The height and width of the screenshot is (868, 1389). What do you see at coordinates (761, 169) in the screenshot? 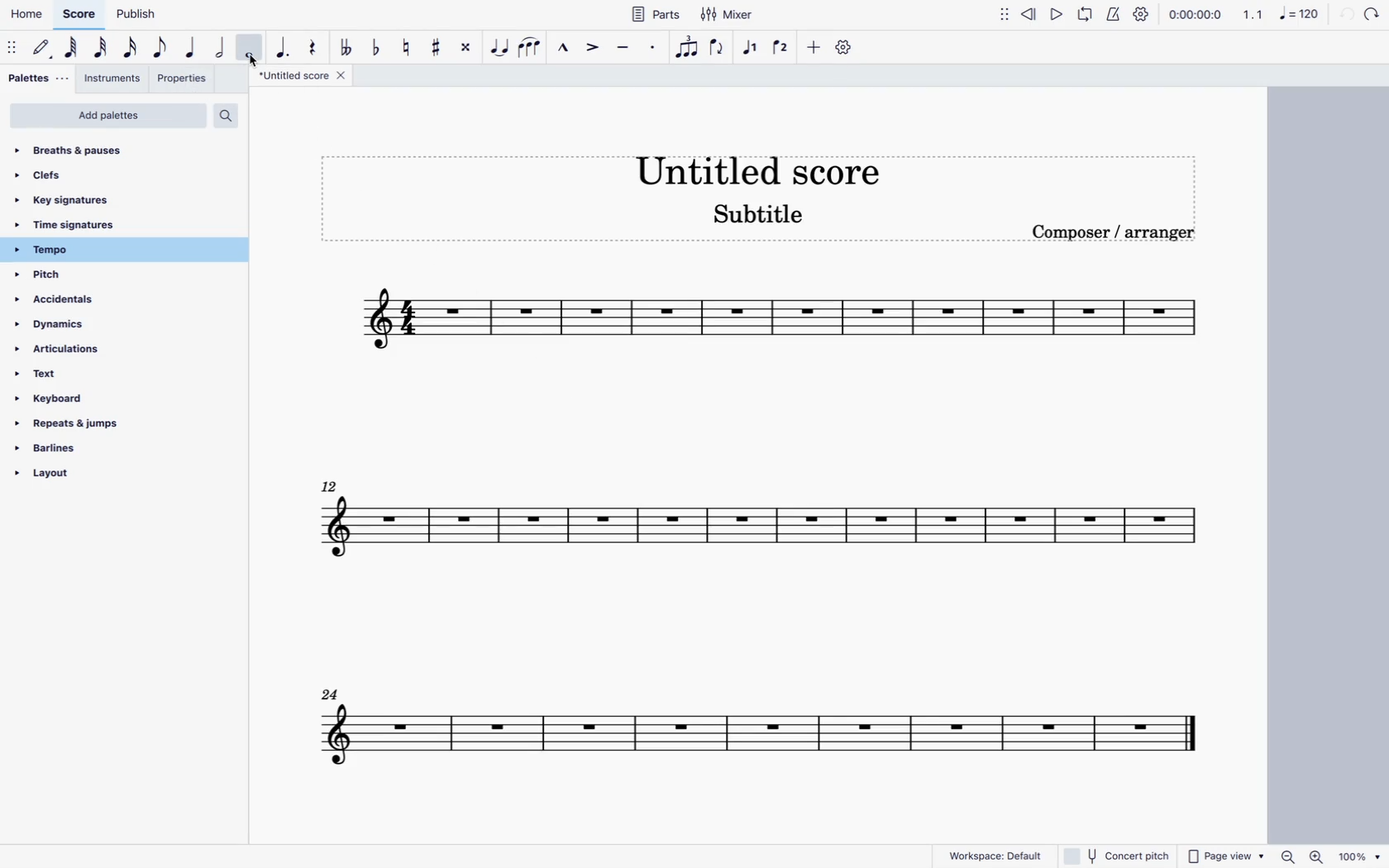
I see `score title` at bounding box center [761, 169].